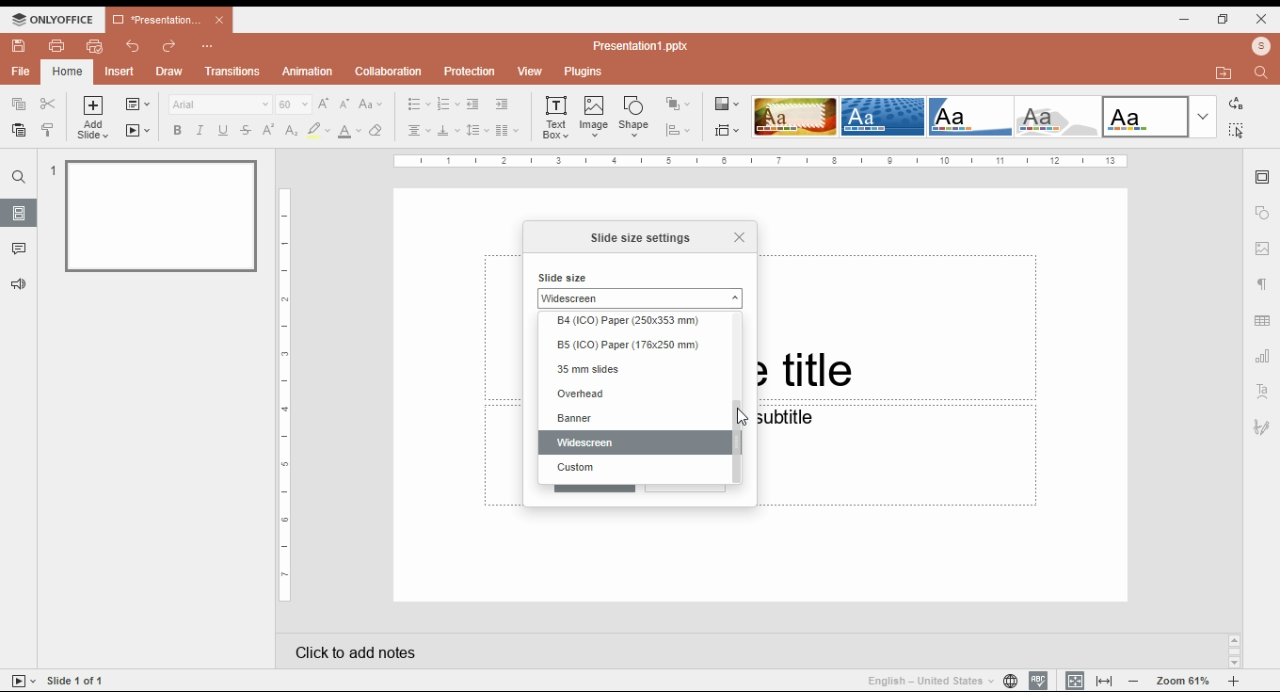 The image size is (1280, 692). Describe the element at coordinates (644, 45) in the screenshot. I see `Presentation1.pptx` at that location.